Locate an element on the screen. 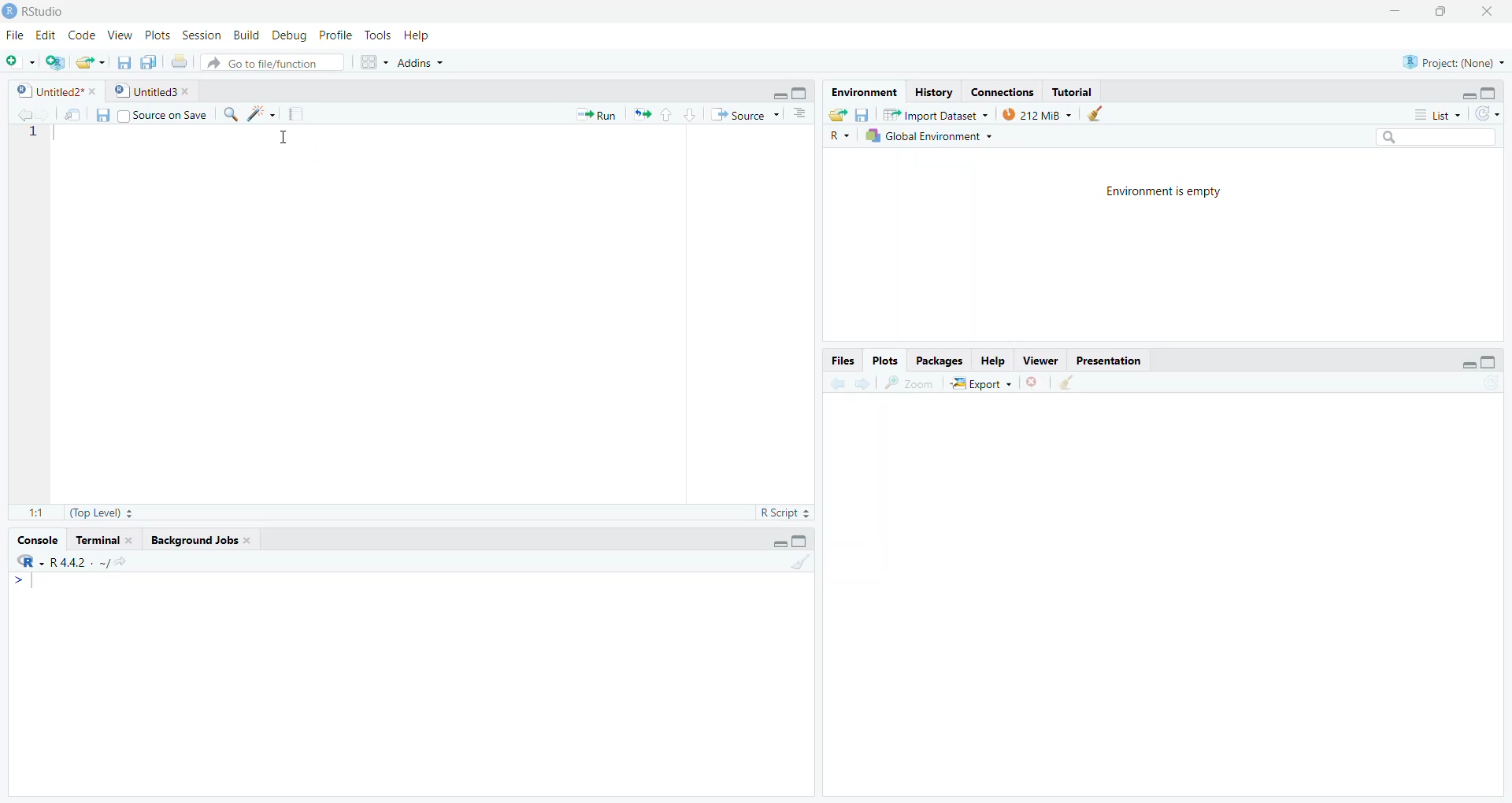  1 1 is located at coordinates (34, 510).